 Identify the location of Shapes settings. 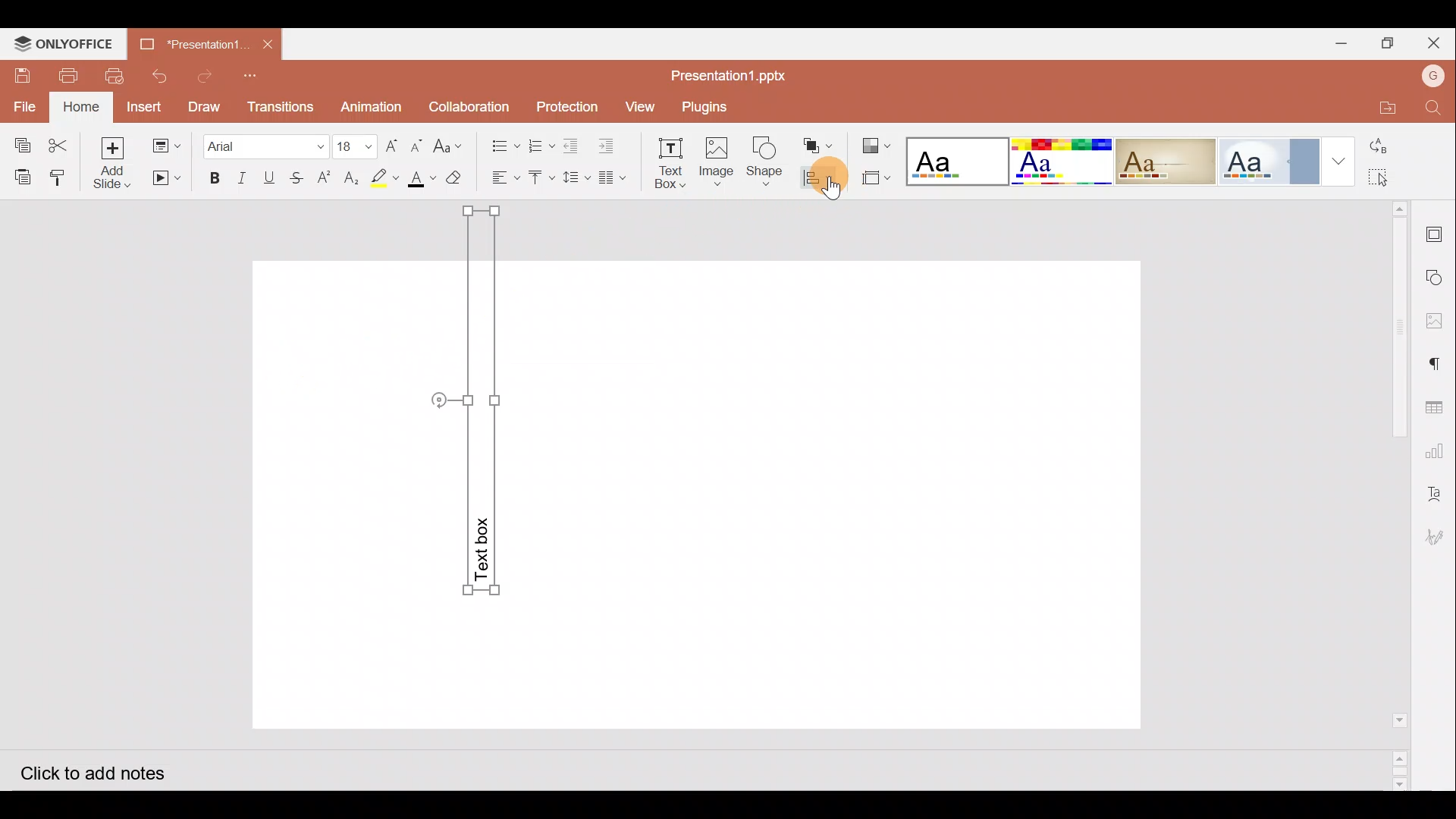
(1438, 279).